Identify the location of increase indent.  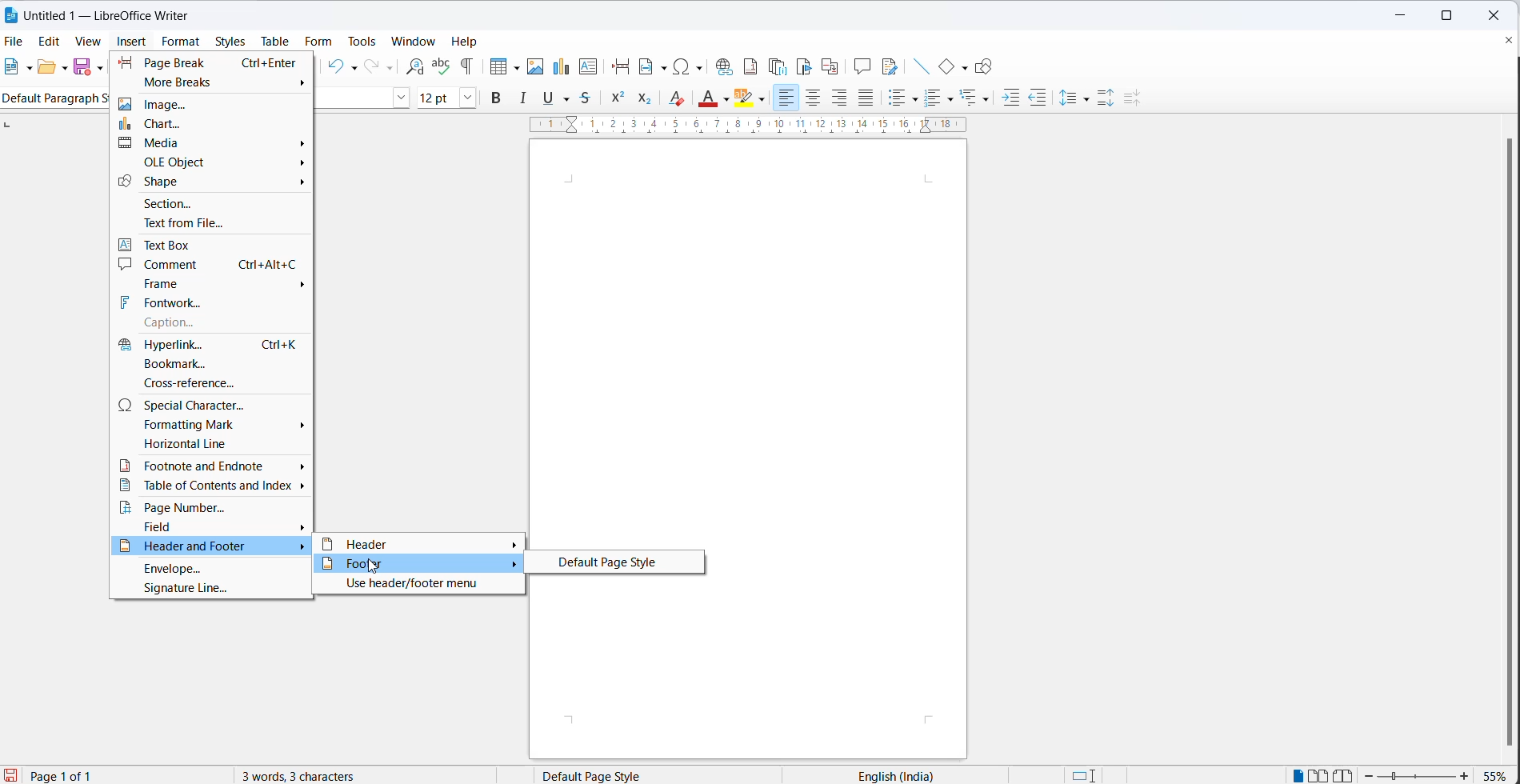
(1010, 98).